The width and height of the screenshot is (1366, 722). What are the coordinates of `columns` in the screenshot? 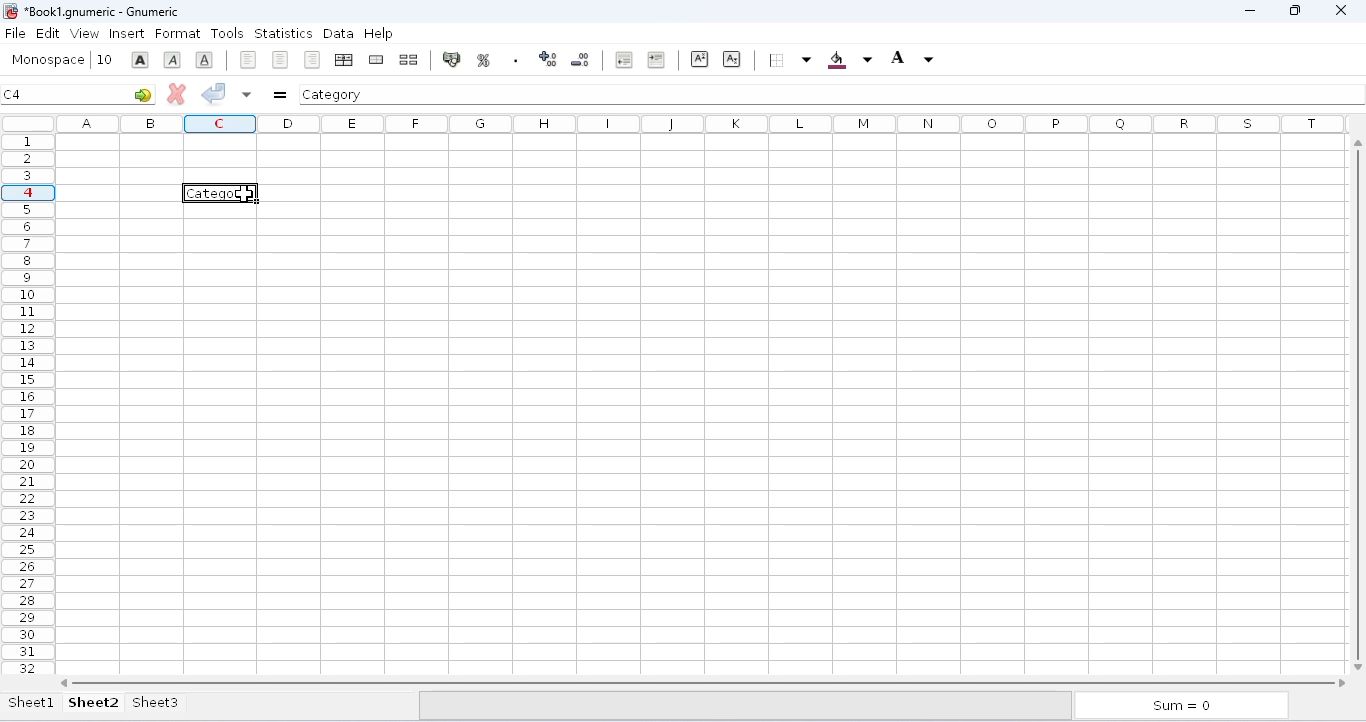 It's located at (705, 123).